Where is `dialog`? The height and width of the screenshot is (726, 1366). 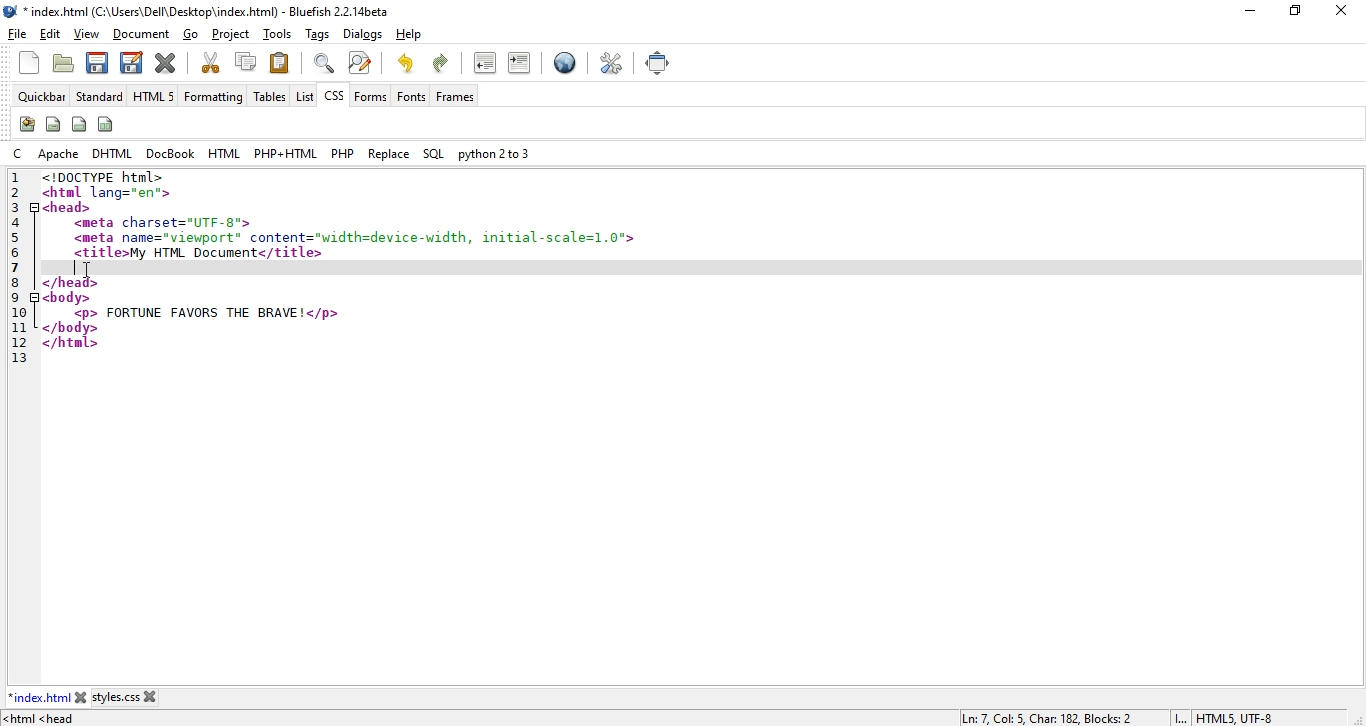 dialog is located at coordinates (362, 34).